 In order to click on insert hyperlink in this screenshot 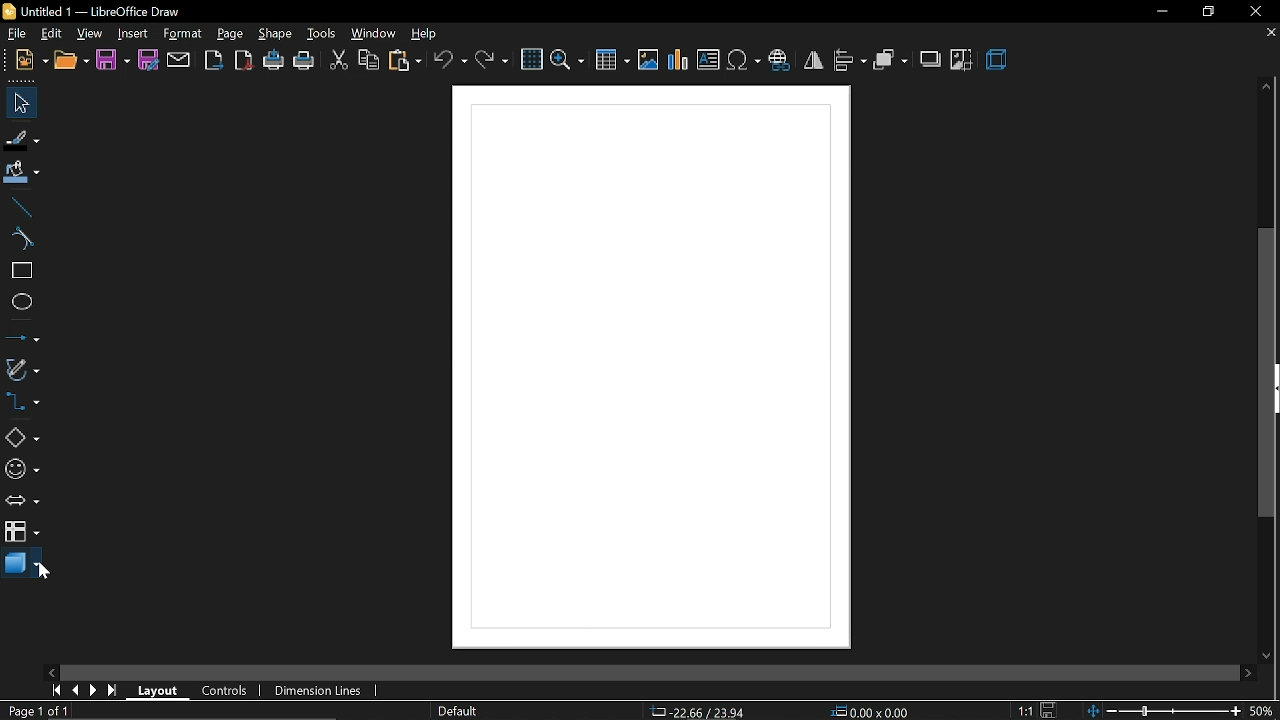, I will do `click(782, 60)`.